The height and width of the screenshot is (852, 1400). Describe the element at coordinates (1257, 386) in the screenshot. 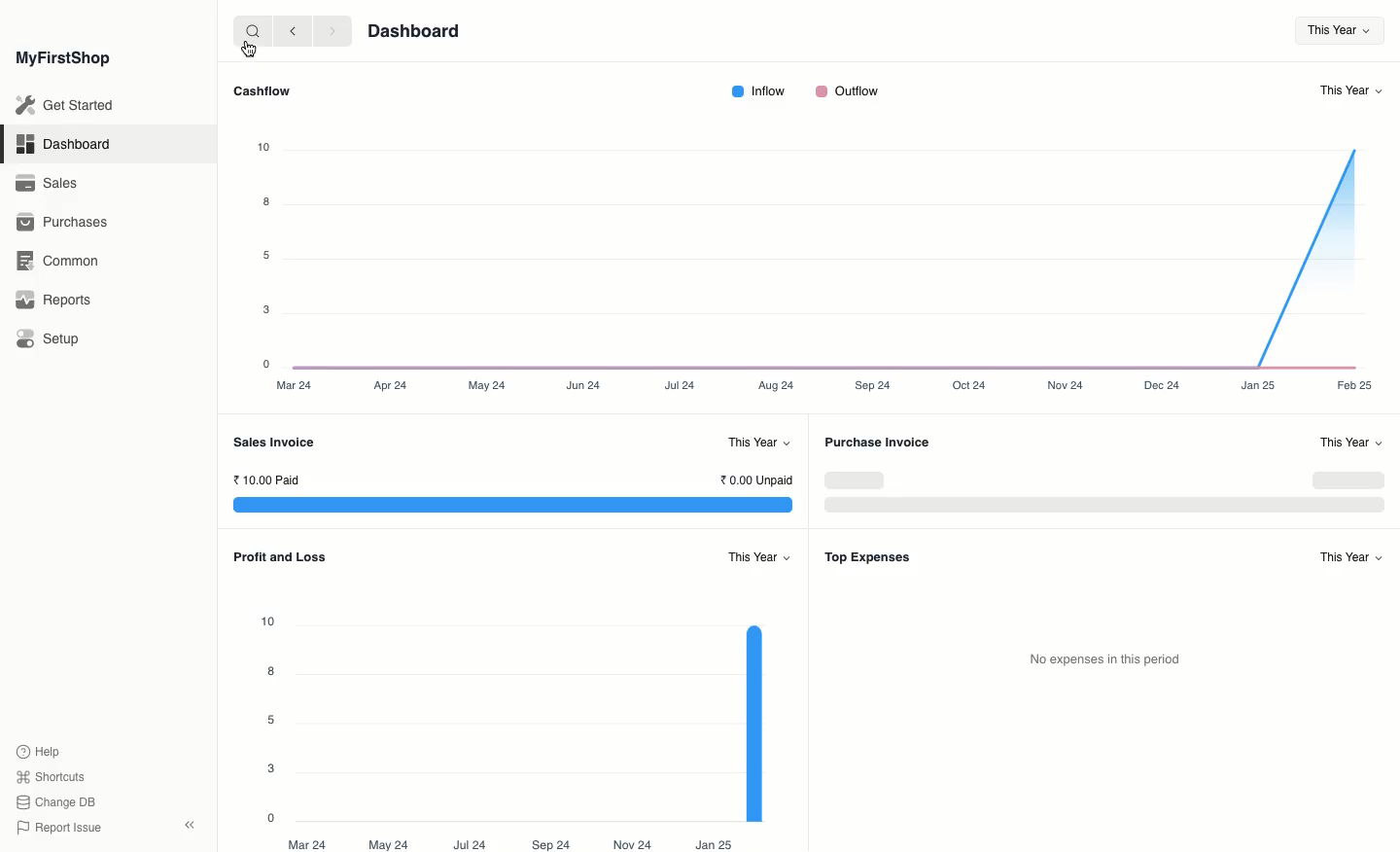

I see `Jan 25` at that location.